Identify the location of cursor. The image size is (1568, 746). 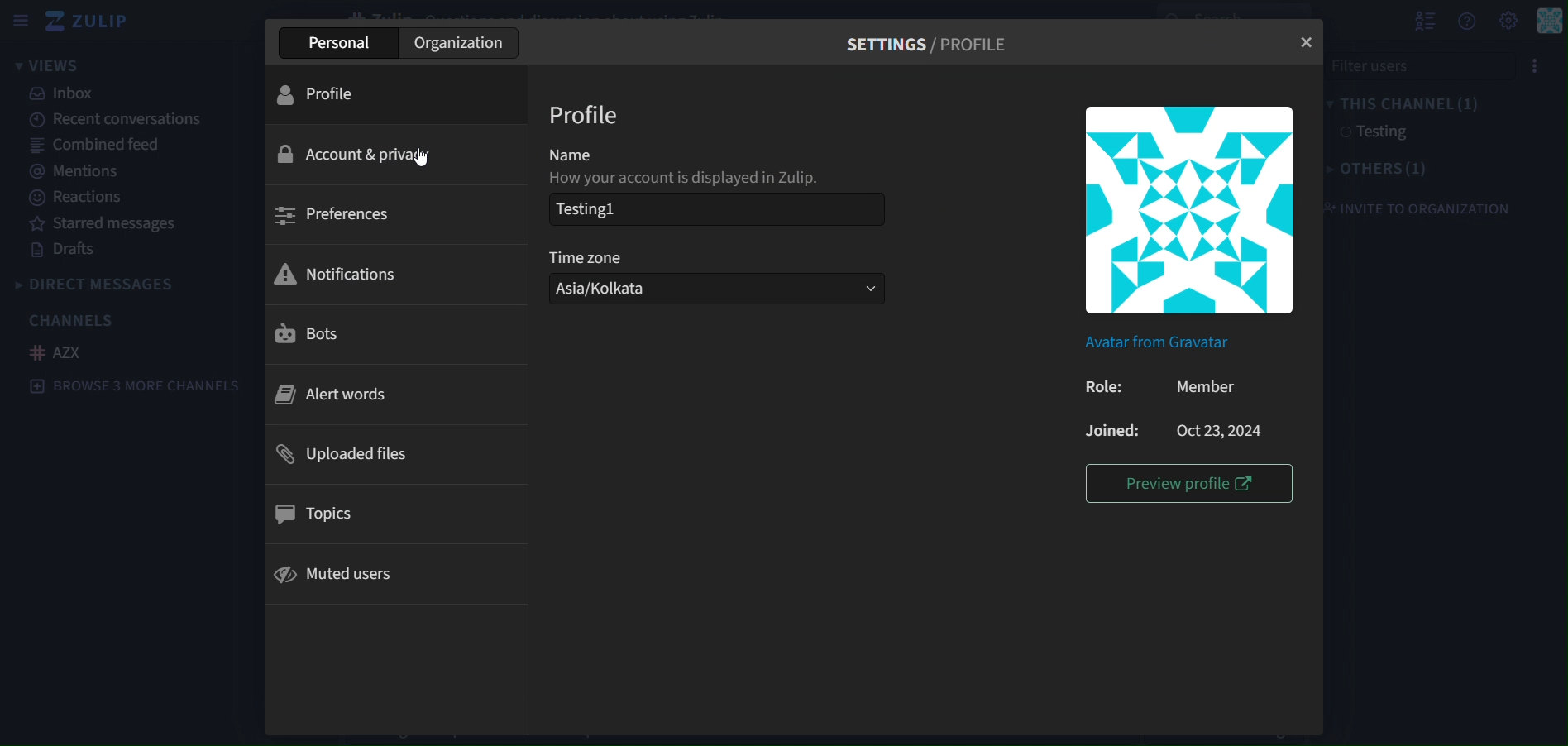
(421, 158).